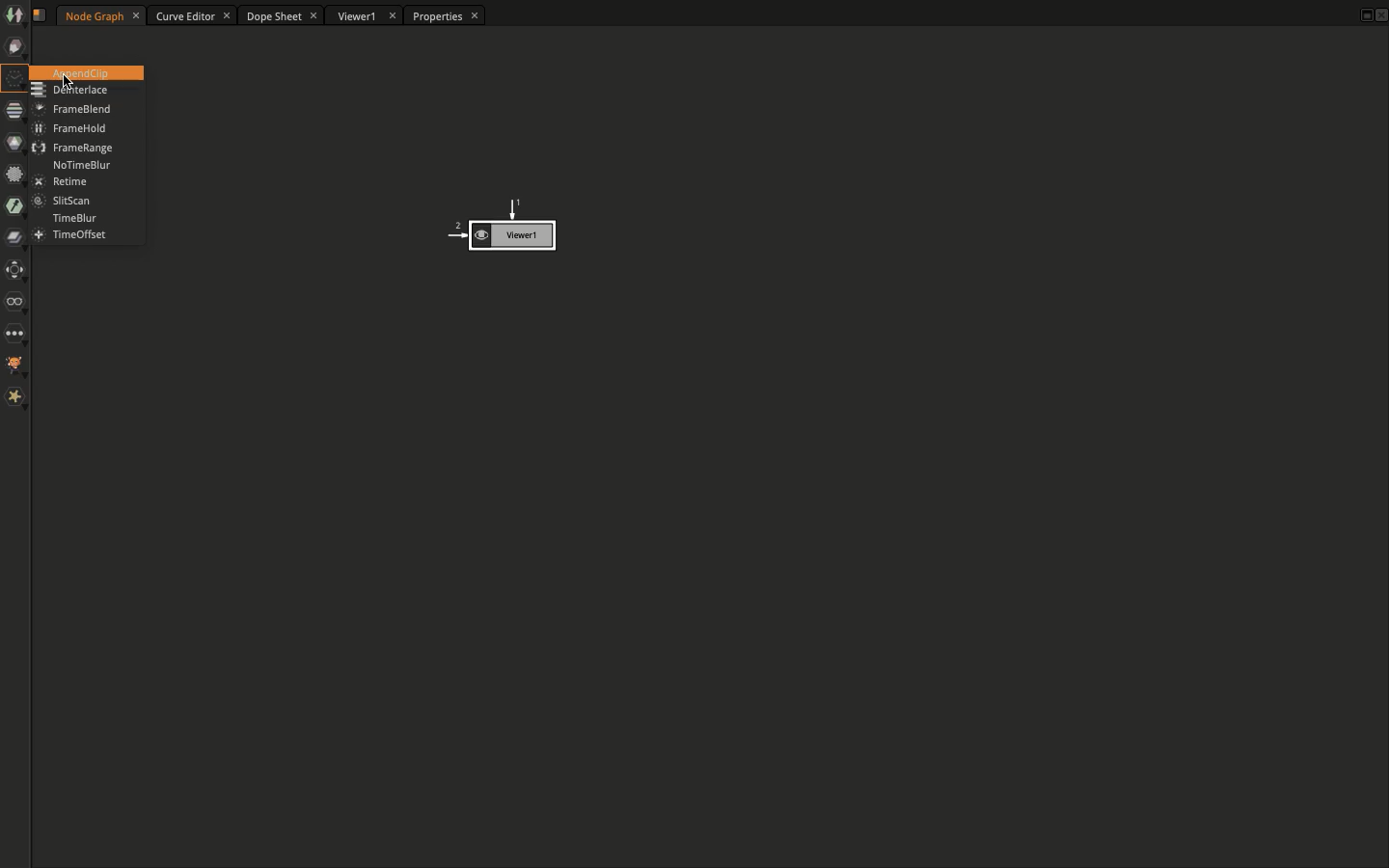  I want to click on TimeOffset, so click(69, 235).